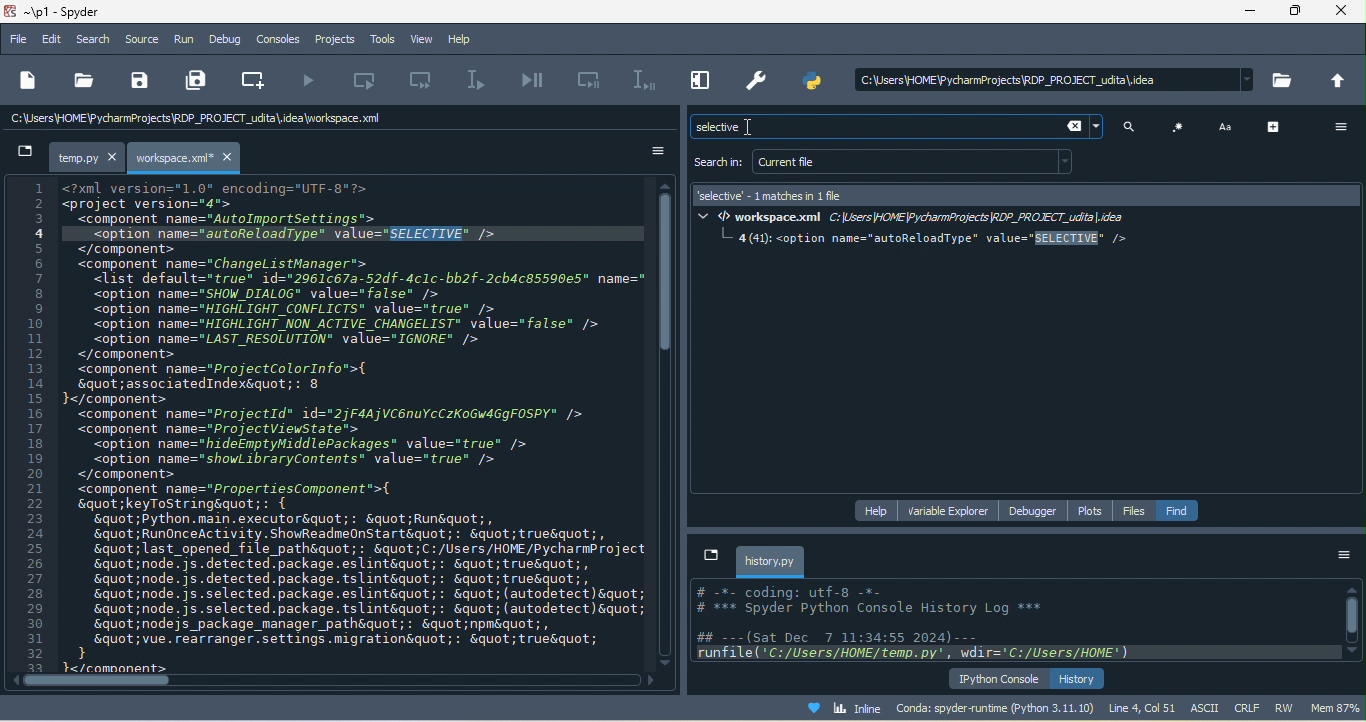  What do you see at coordinates (1296, 14) in the screenshot?
I see `maximize` at bounding box center [1296, 14].